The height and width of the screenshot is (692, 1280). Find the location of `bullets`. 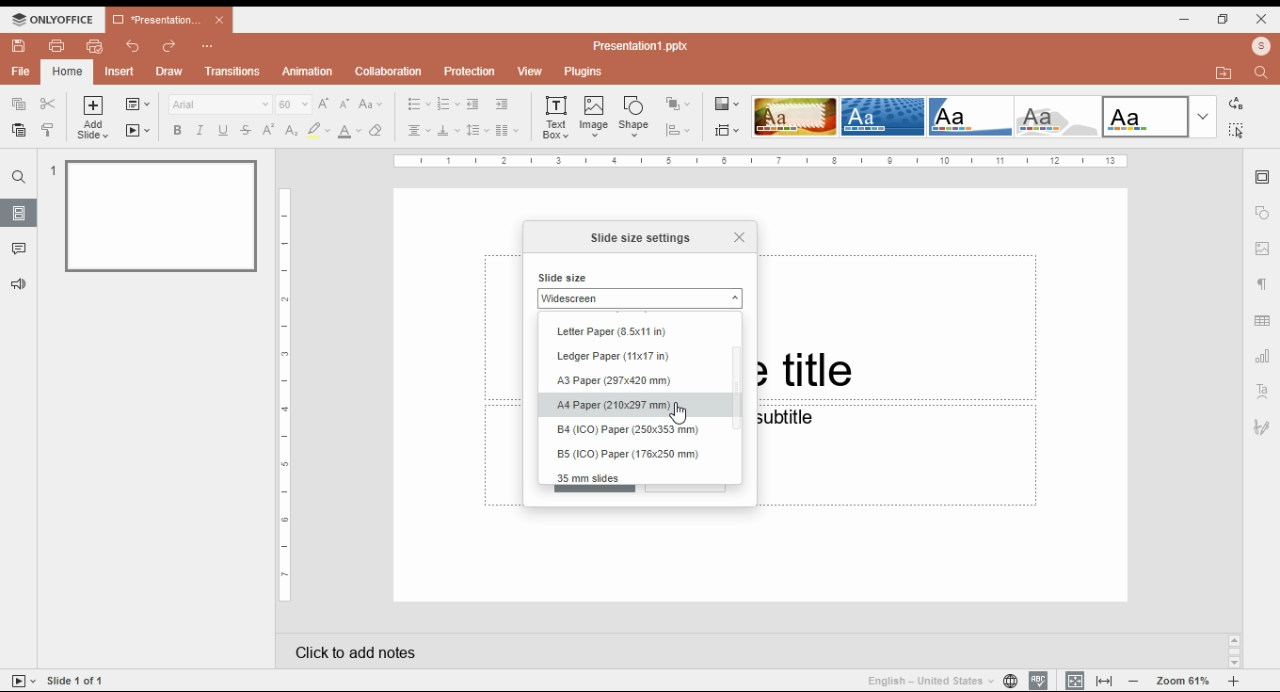

bullets is located at coordinates (419, 104).